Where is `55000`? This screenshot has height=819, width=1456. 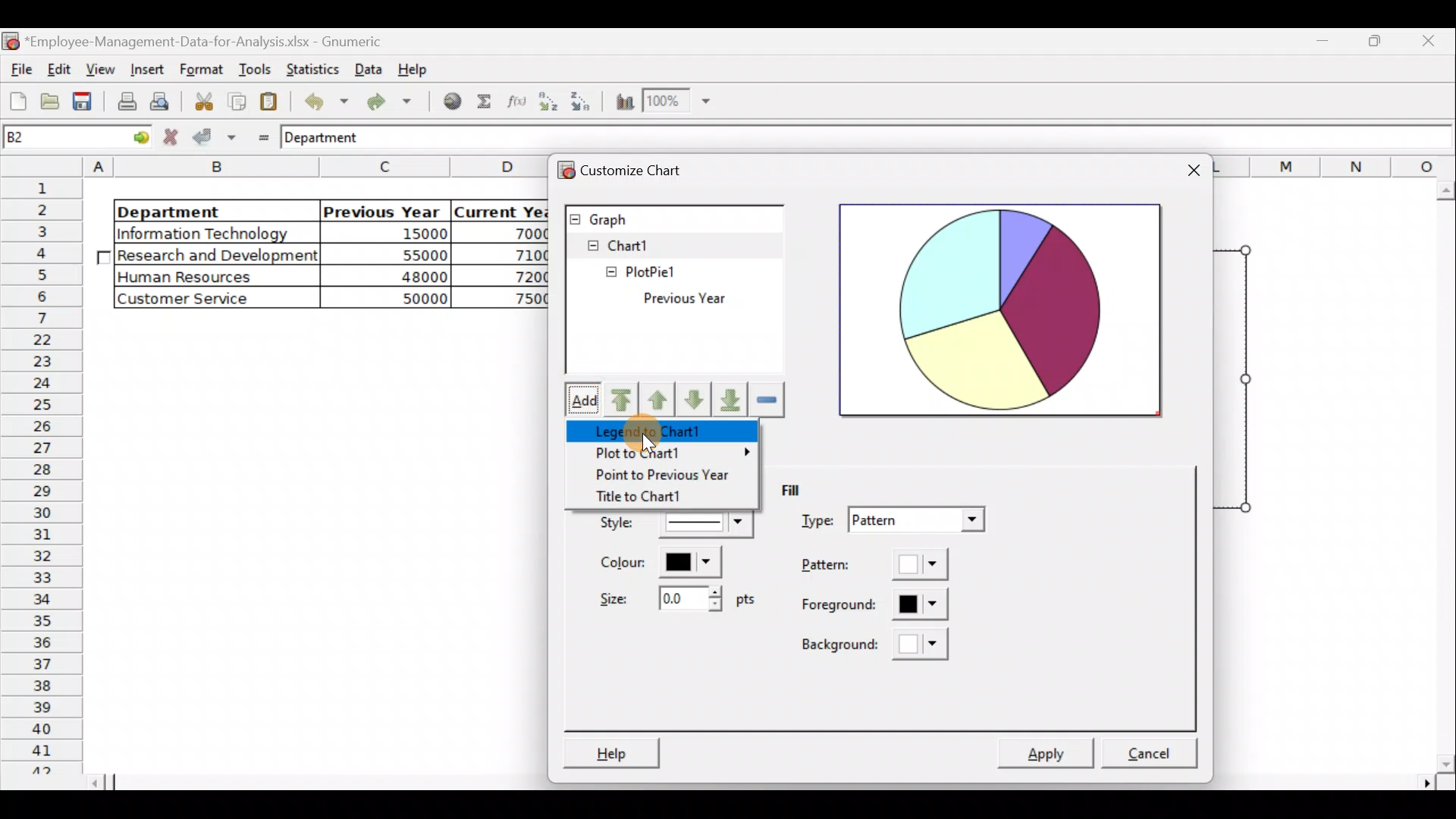 55000 is located at coordinates (416, 255).